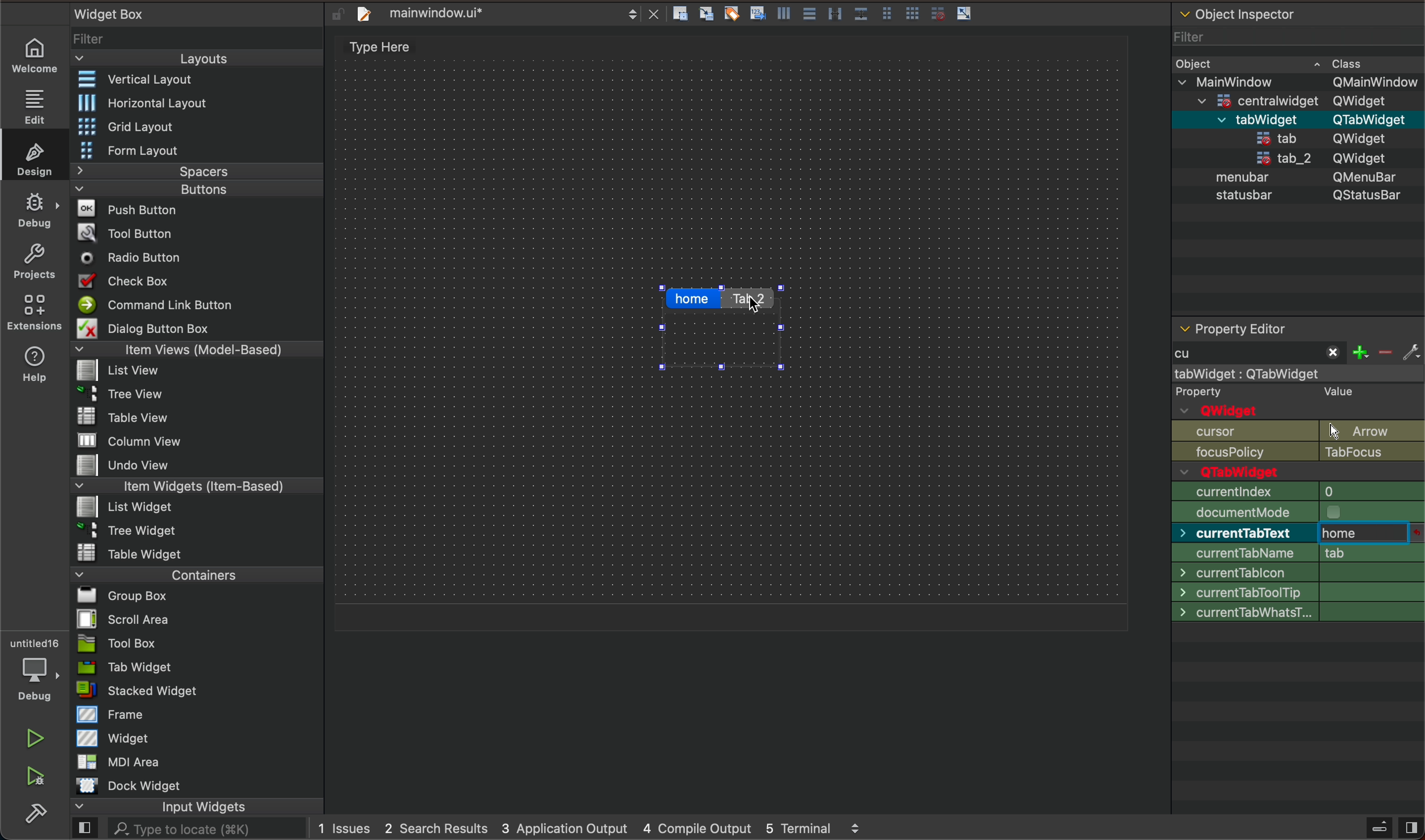 Image resolution: width=1425 pixels, height=840 pixels. What do you see at coordinates (594, 828) in the screenshot?
I see `logs` at bounding box center [594, 828].